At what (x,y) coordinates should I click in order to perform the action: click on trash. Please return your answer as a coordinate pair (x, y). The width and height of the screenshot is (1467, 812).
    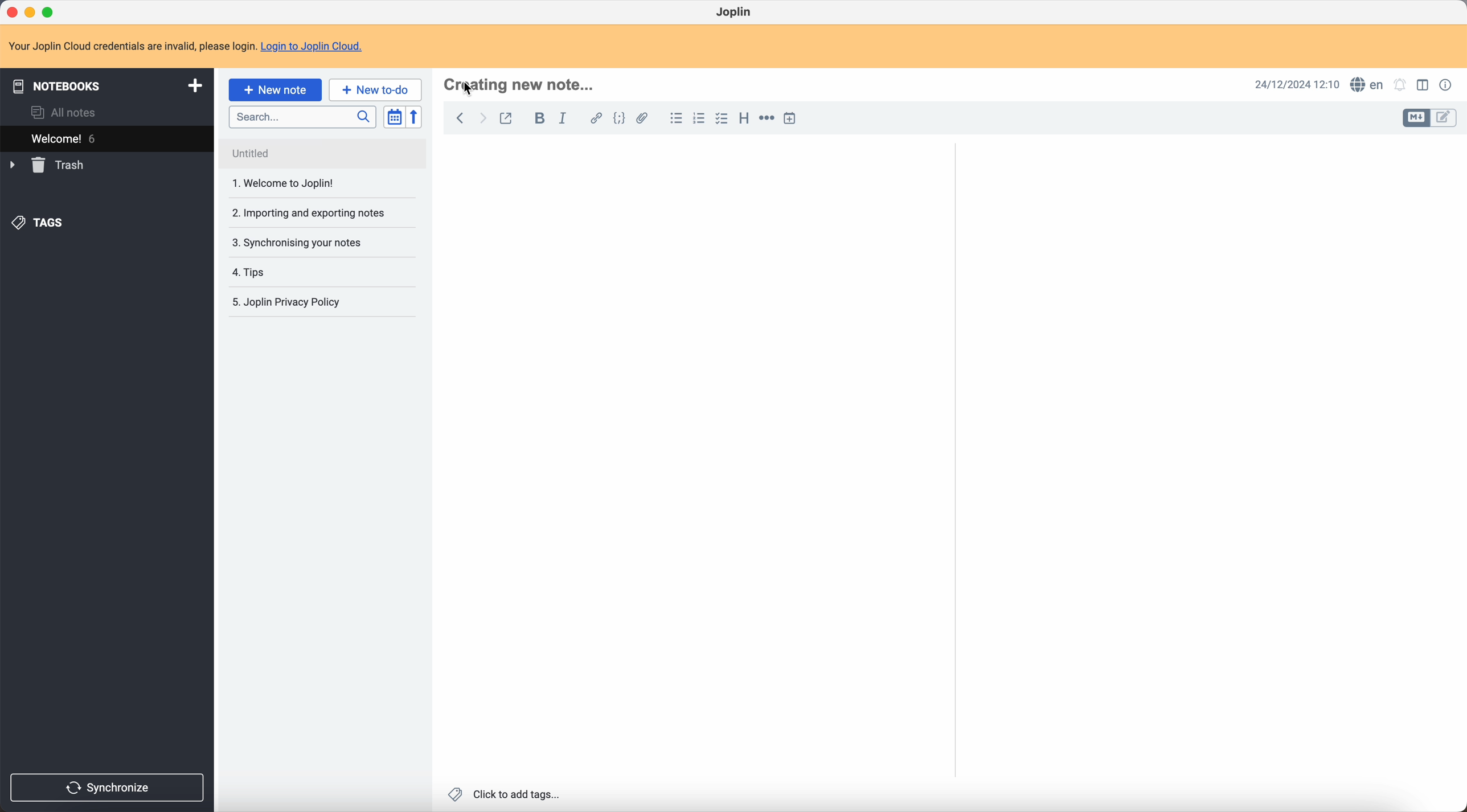
    Looking at the image, I should click on (49, 165).